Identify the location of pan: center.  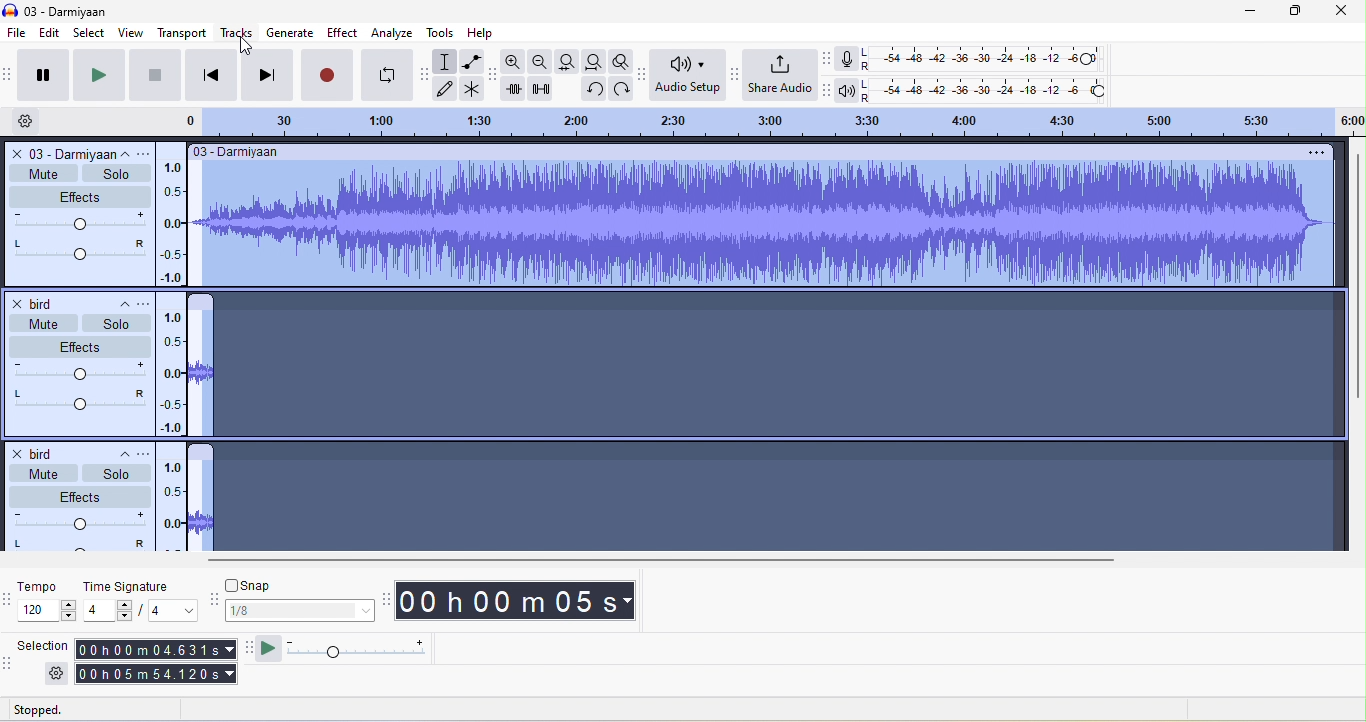
(78, 251).